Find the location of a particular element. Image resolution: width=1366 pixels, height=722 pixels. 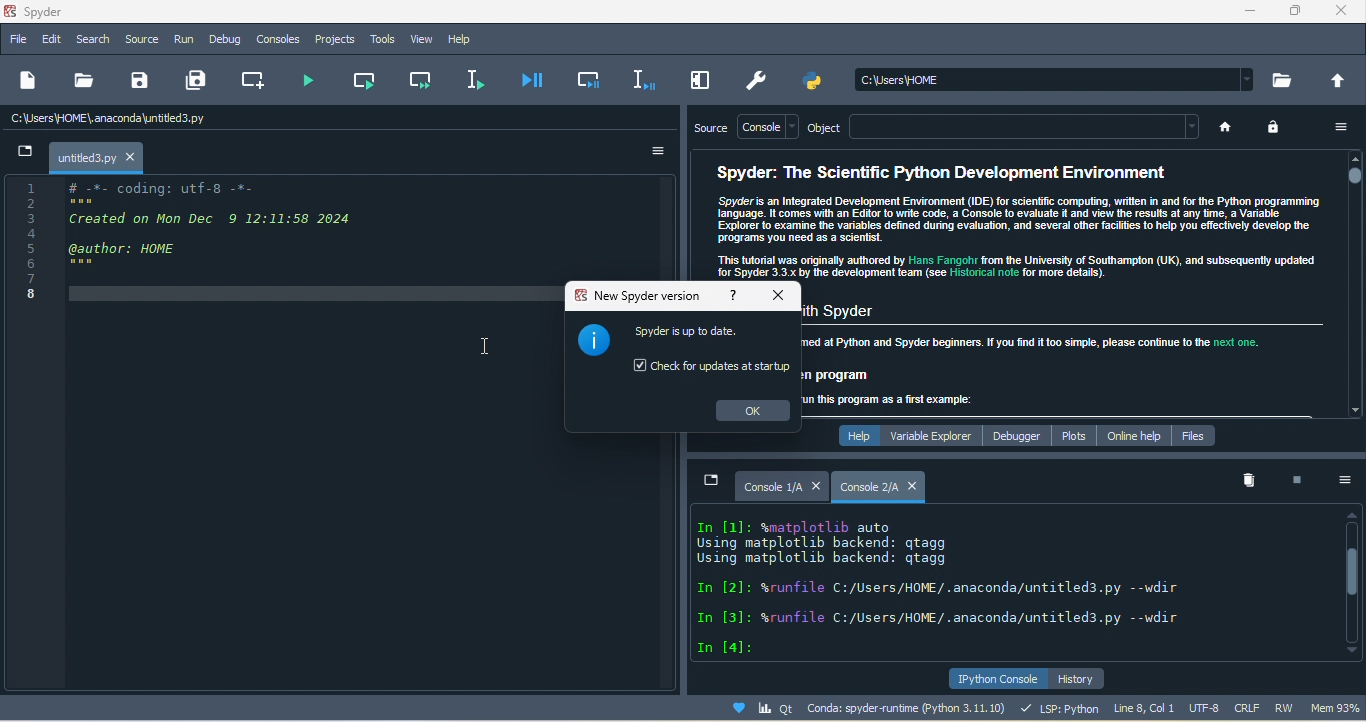

files is located at coordinates (1199, 434).